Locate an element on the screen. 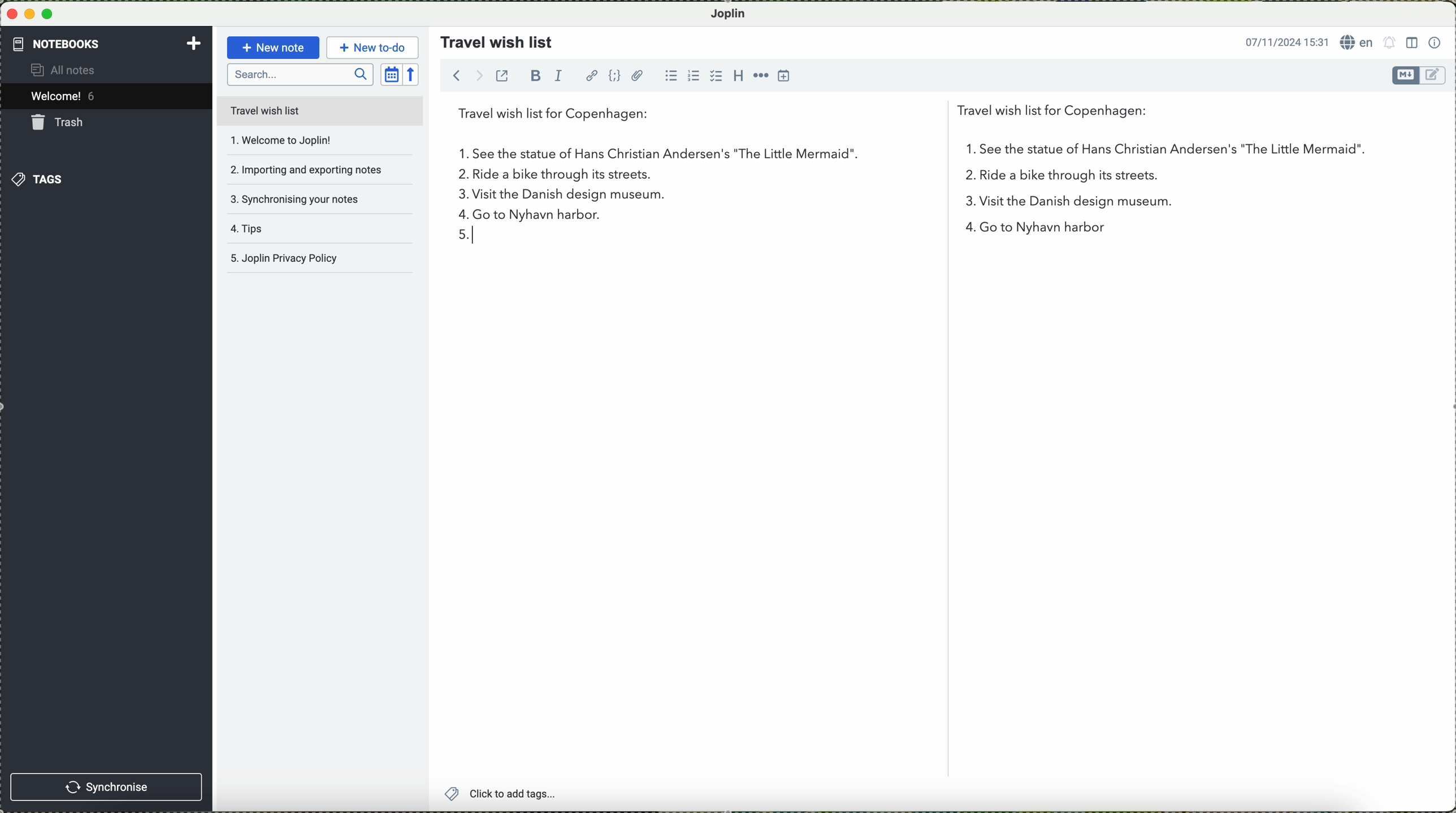  new note button is located at coordinates (271, 47).